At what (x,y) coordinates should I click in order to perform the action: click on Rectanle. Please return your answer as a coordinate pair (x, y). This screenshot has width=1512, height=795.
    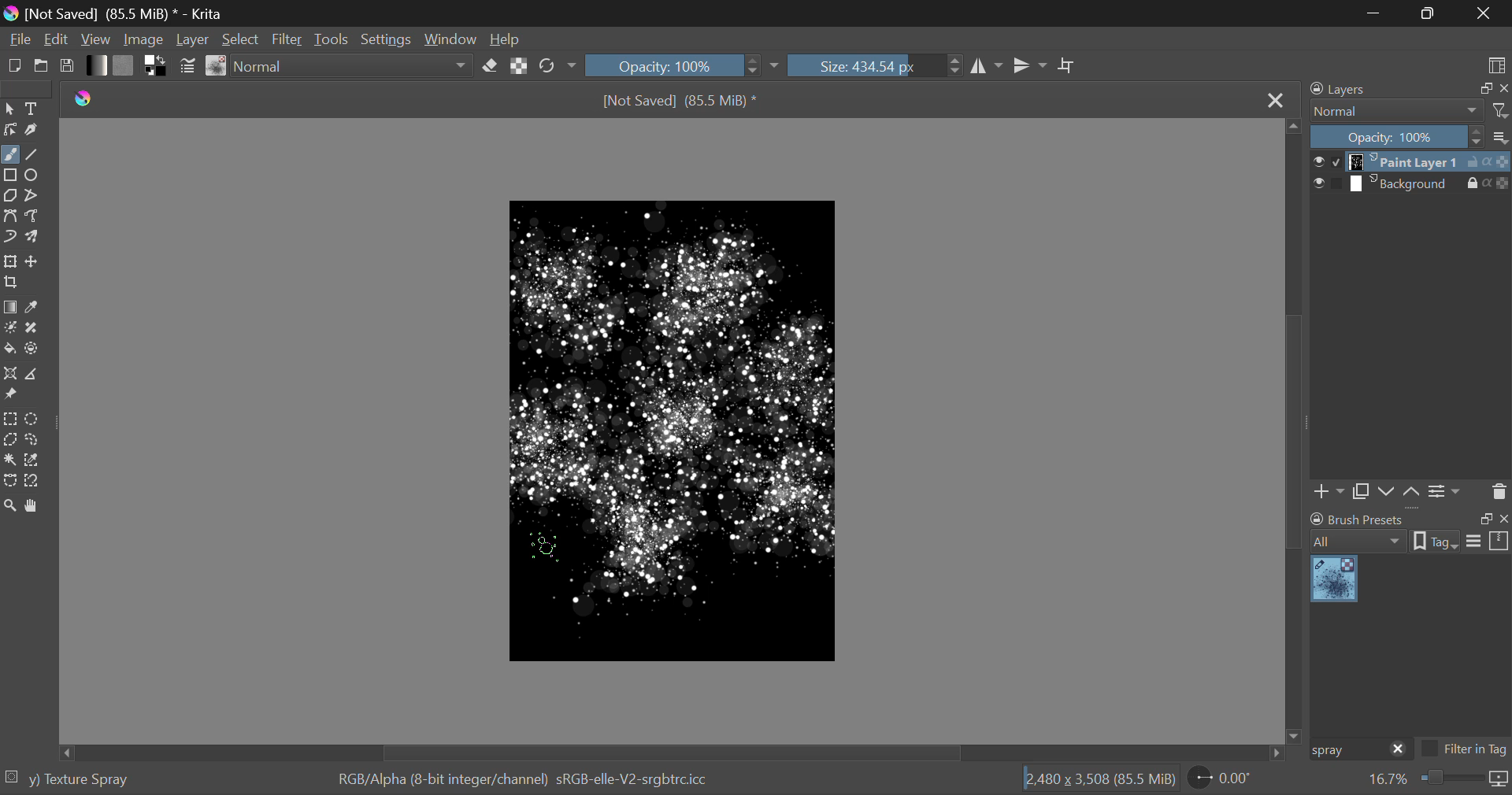
    Looking at the image, I should click on (10, 176).